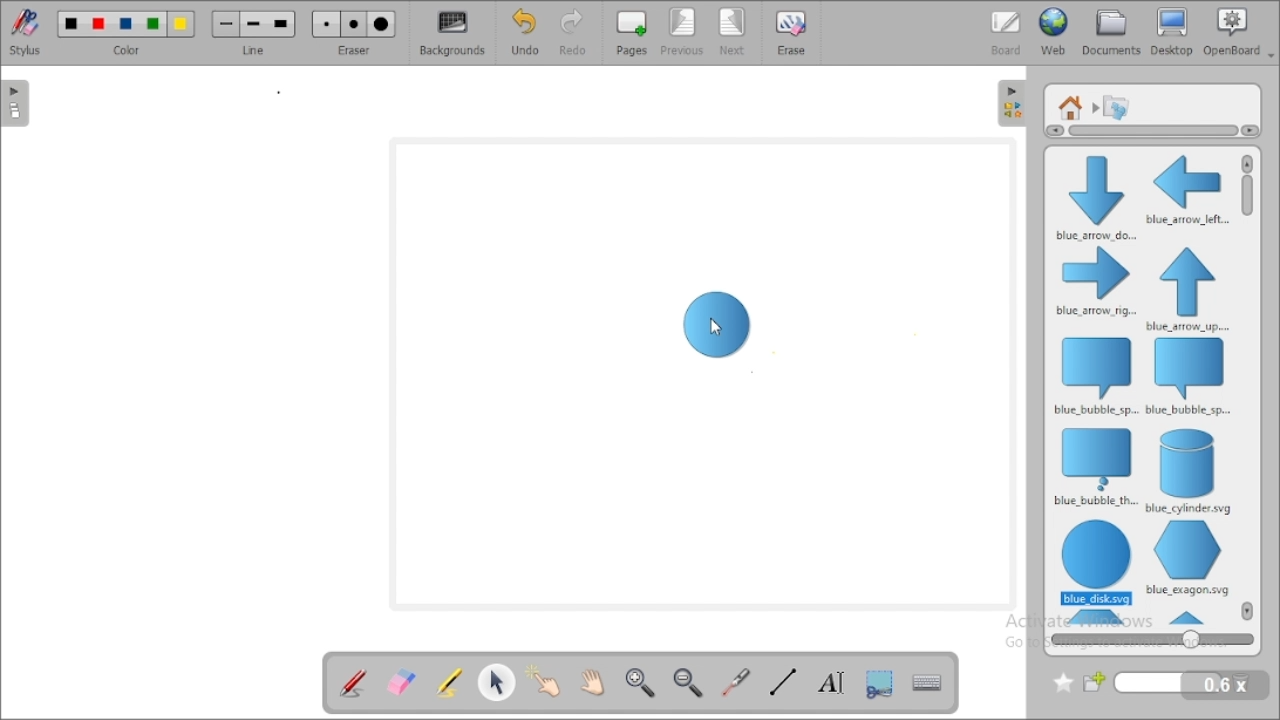 This screenshot has height=720, width=1280. What do you see at coordinates (830, 681) in the screenshot?
I see `write text` at bounding box center [830, 681].